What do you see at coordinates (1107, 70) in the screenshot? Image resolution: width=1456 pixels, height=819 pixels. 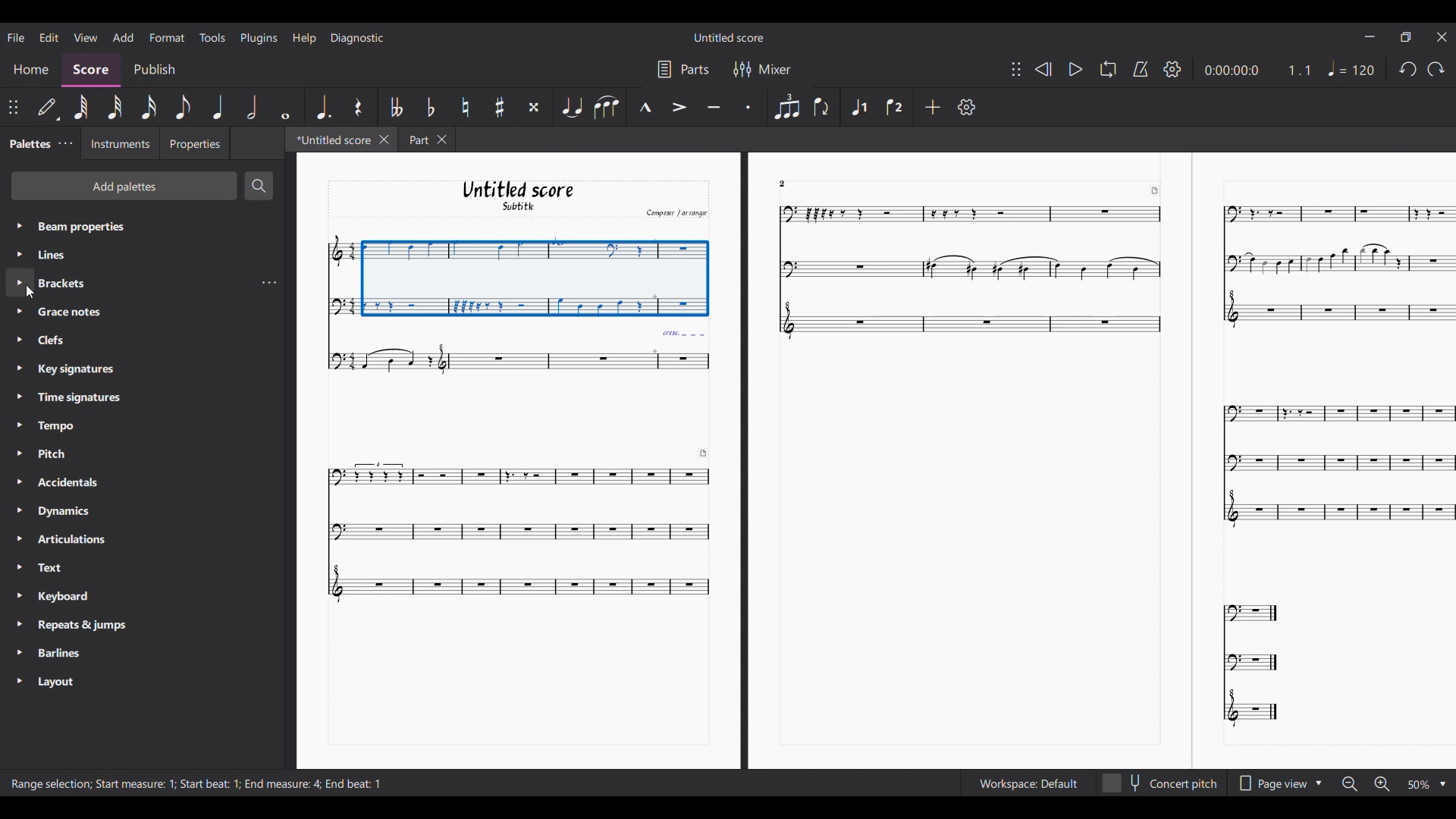 I see `Loop playback` at bounding box center [1107, 70].